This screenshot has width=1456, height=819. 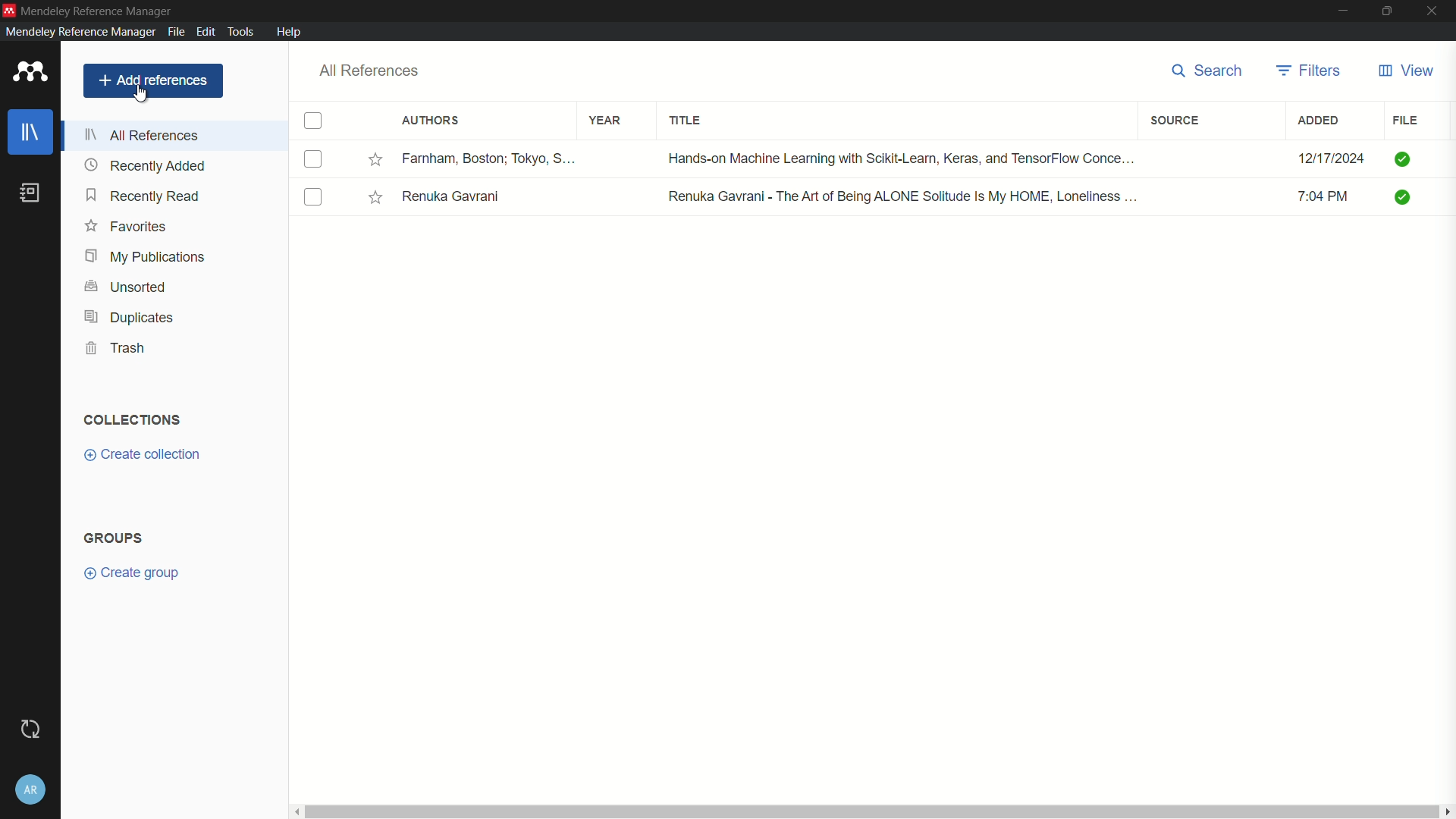 I want to click on sync, so click(x=28, y=730).